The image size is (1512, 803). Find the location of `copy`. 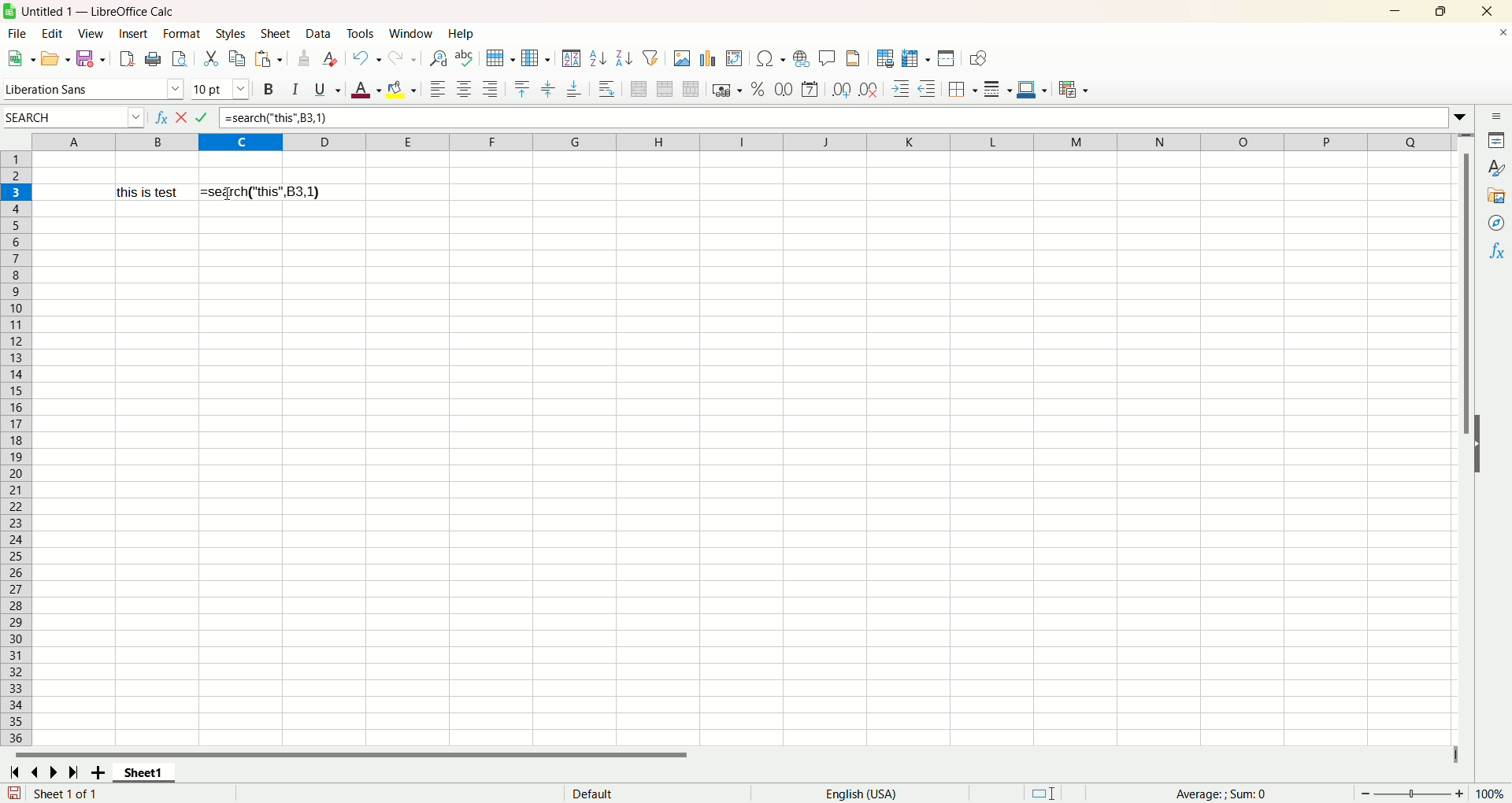

copy is located at coordinates (235, 60).